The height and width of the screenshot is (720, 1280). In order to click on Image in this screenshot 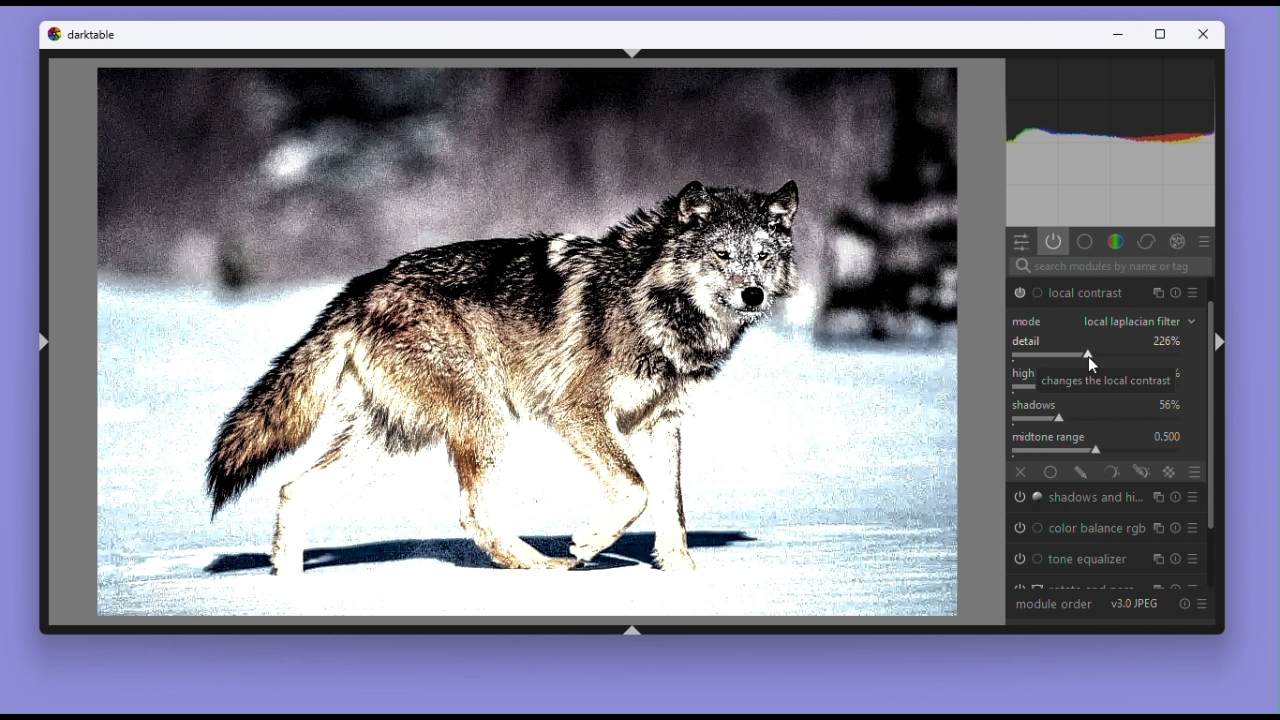, I will do `click(526, 344)`.